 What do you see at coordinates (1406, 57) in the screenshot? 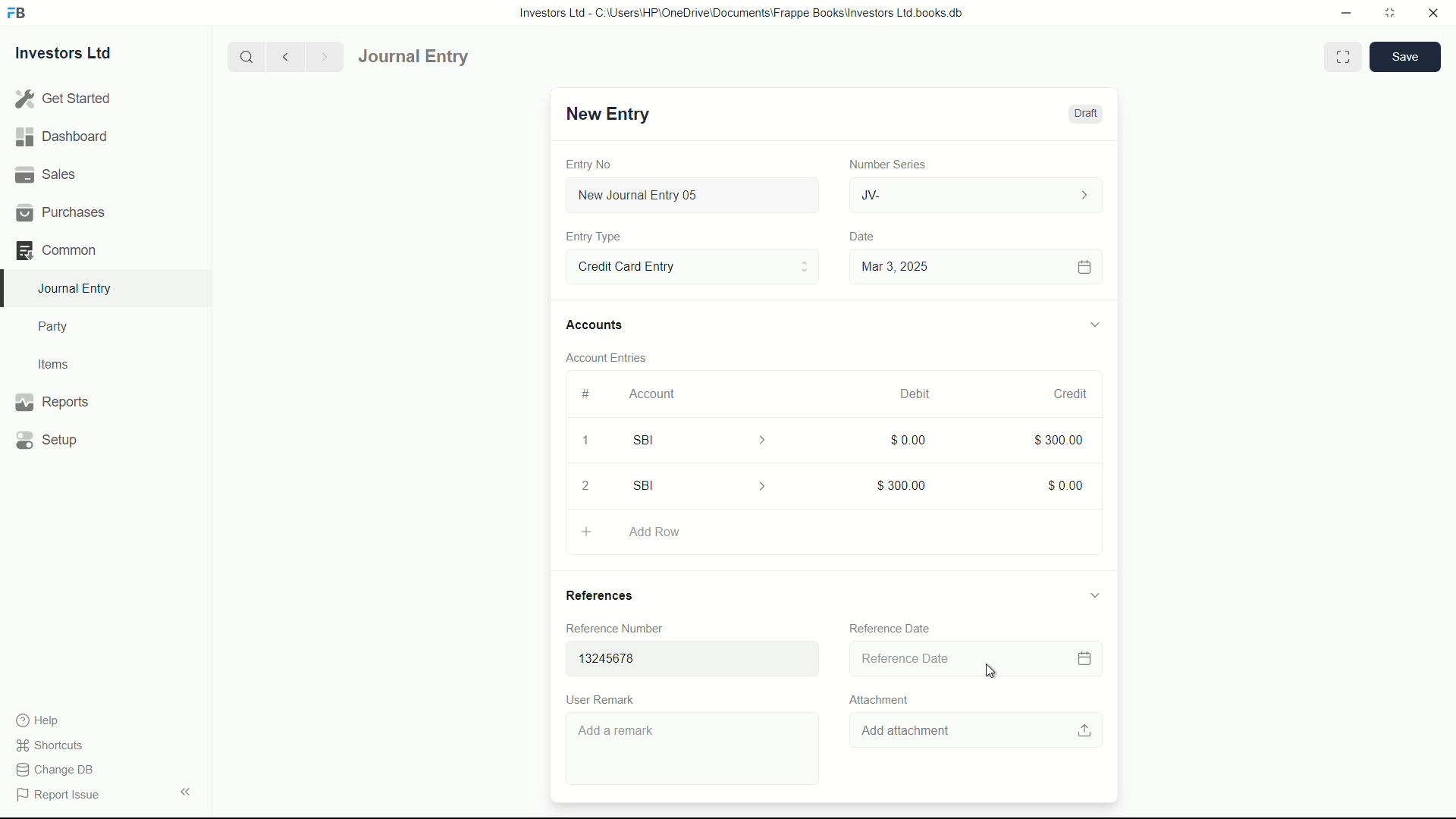
I see `save` at bounding box center [1406, 57].